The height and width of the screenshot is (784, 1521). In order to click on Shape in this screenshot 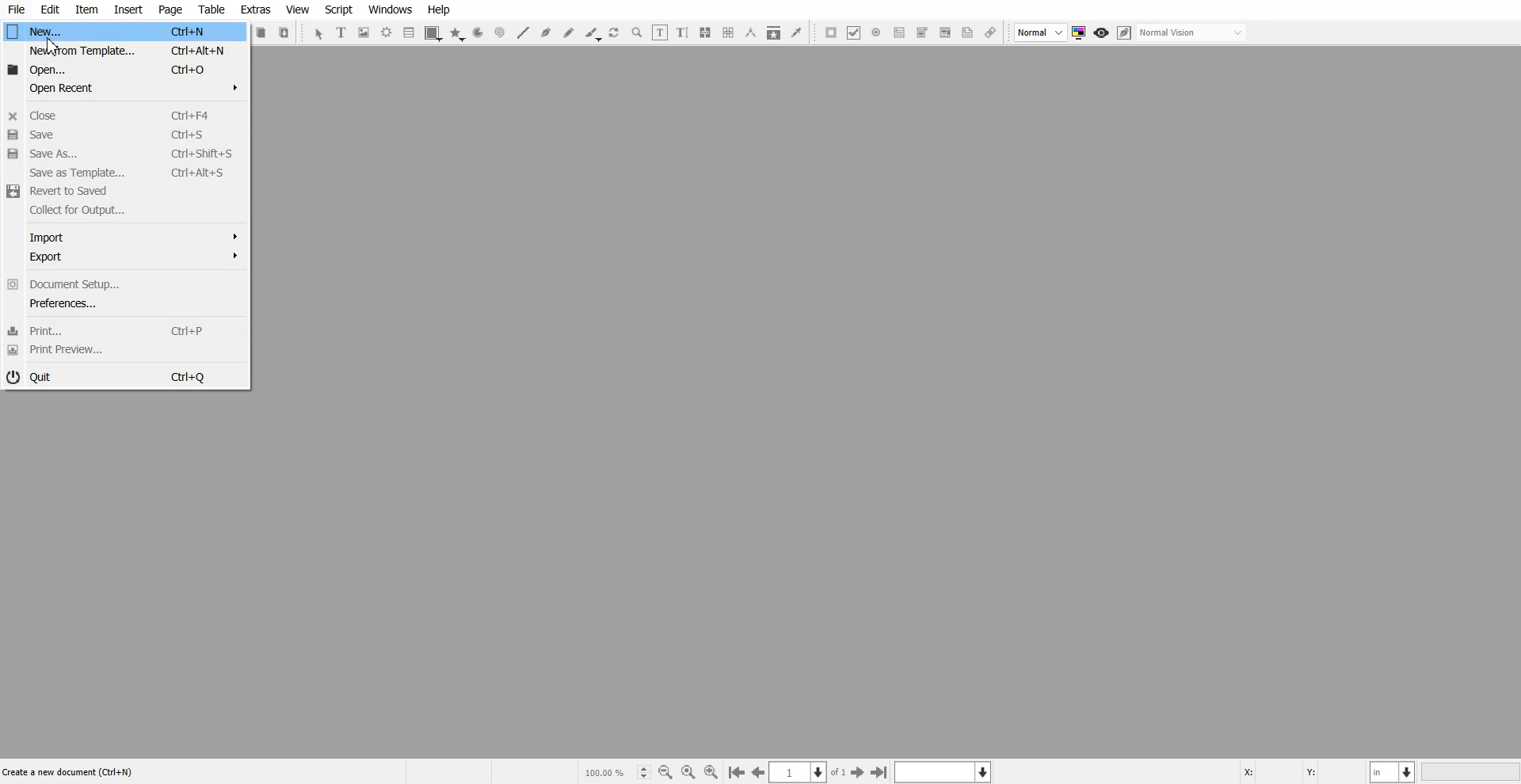, I will do `click(433, 33)`.